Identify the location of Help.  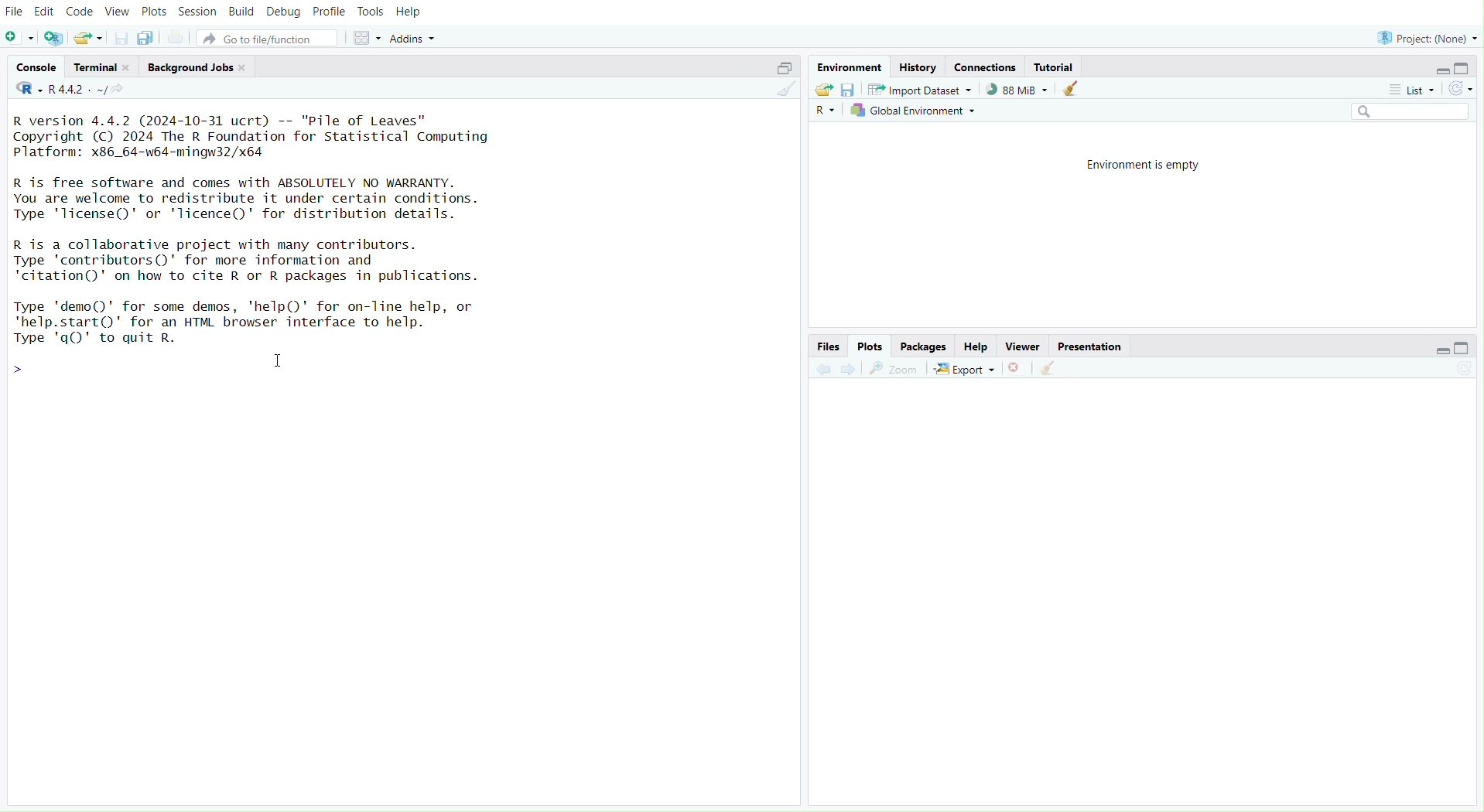
(414, 12).